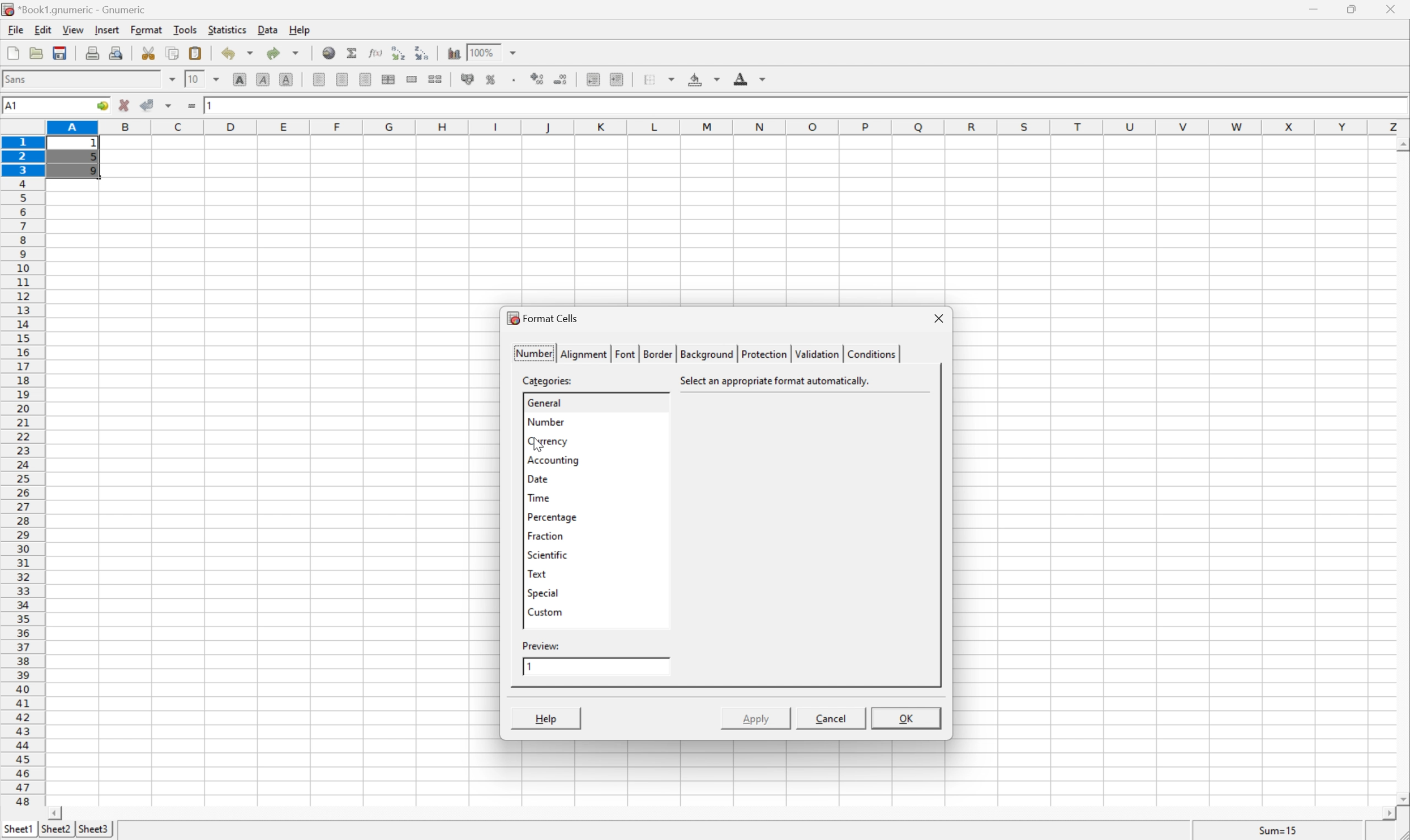 The width and height of the screenshot is (1410, 840). I want to click on merge a range of cells, so click(415, 79).